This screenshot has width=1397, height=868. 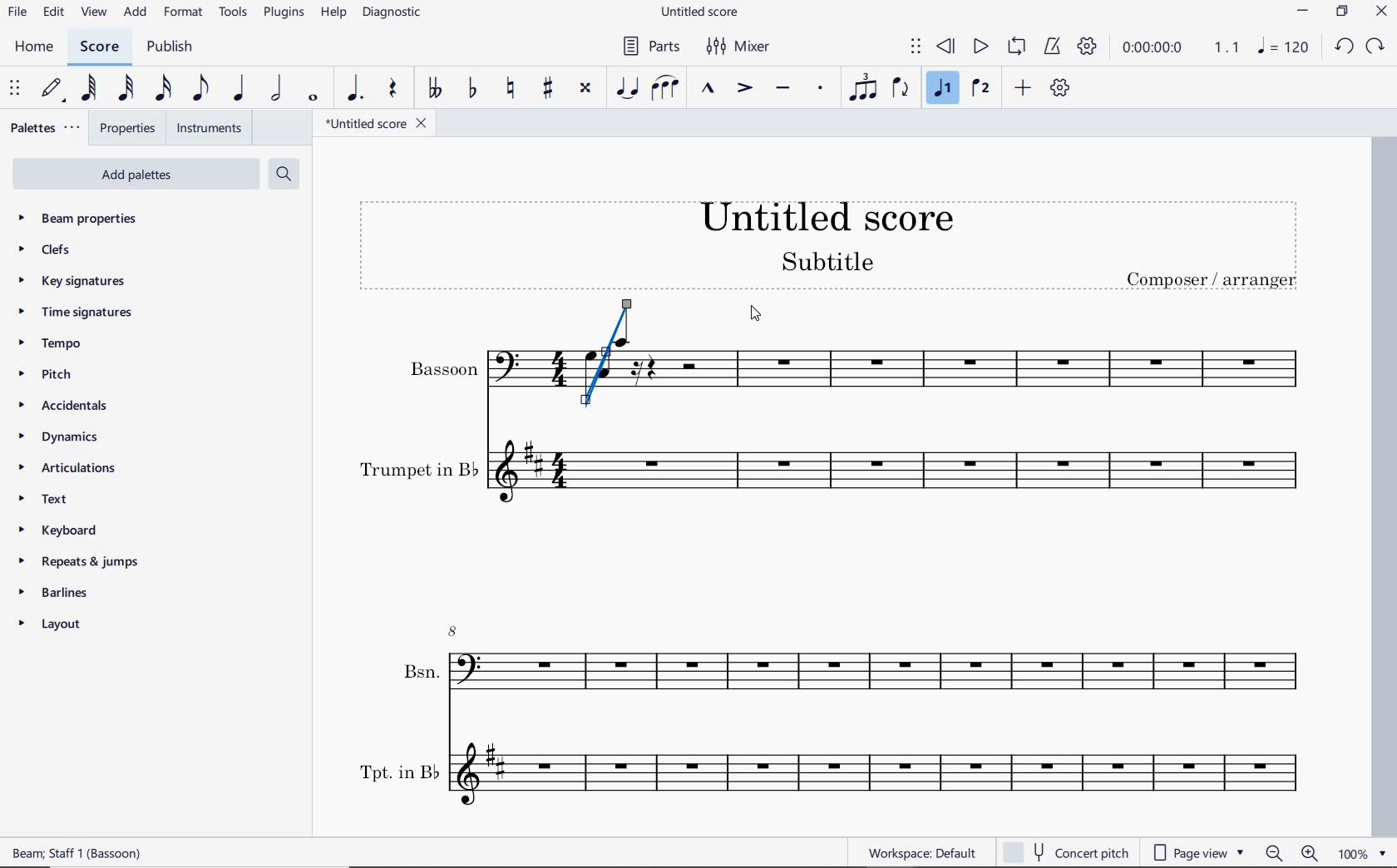 What do you see at coordinates (71, 468) in the screenshot?
I see `articulations` at bounding box center [71, 468].